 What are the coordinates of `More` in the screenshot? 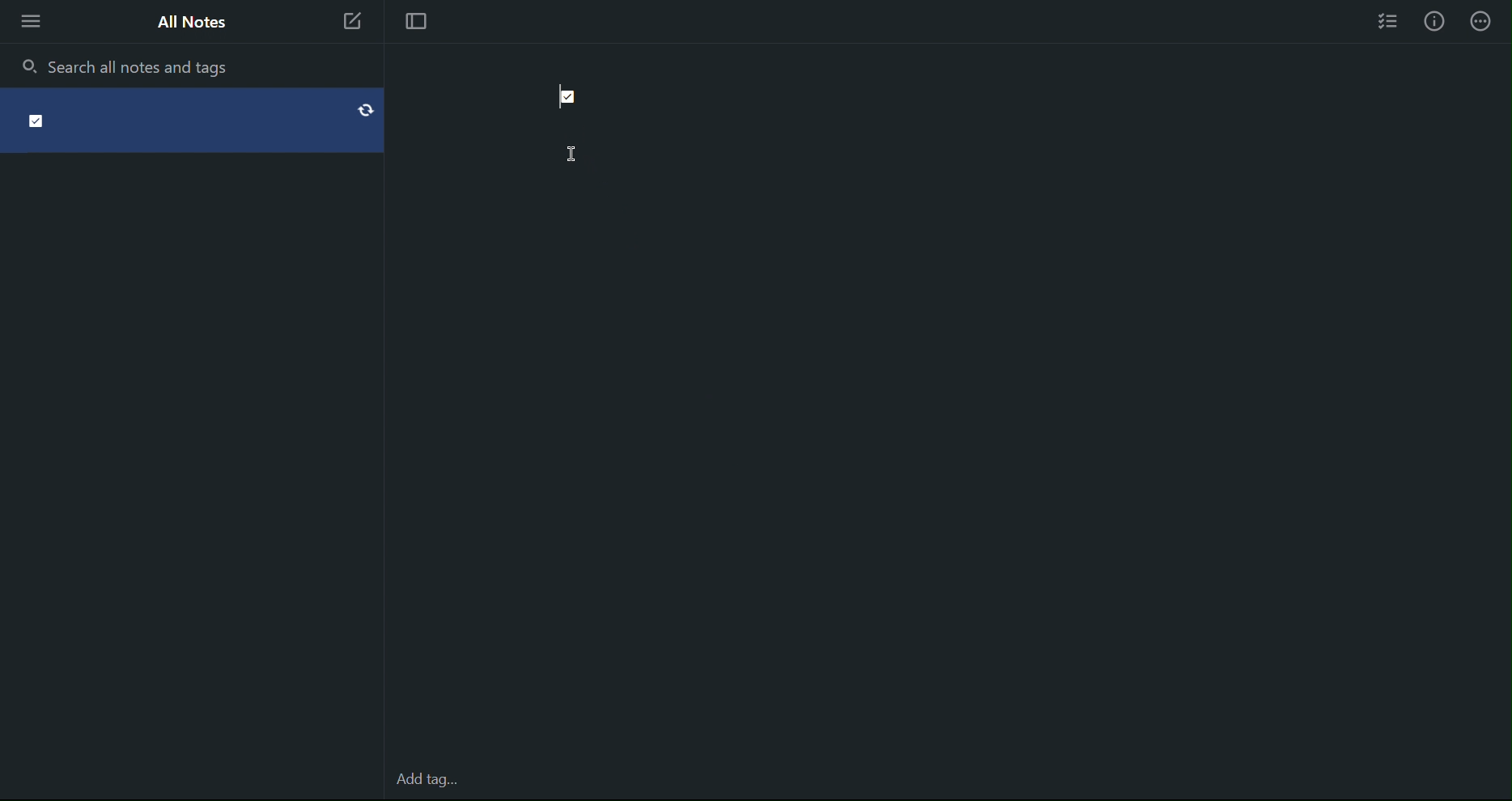 It's located at (30, 21).